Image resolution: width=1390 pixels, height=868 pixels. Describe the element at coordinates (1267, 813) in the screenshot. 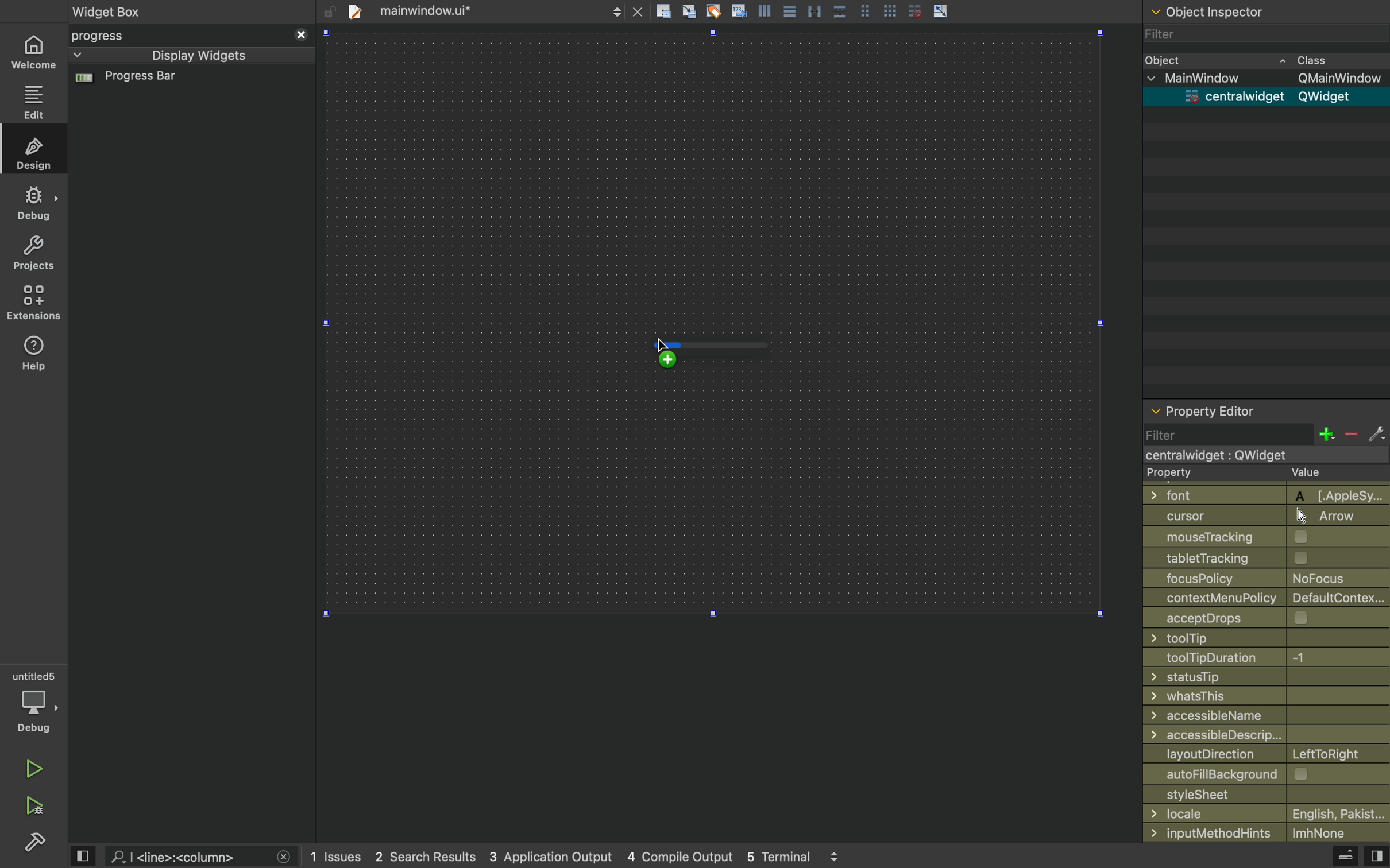

I see `locale` at that location.